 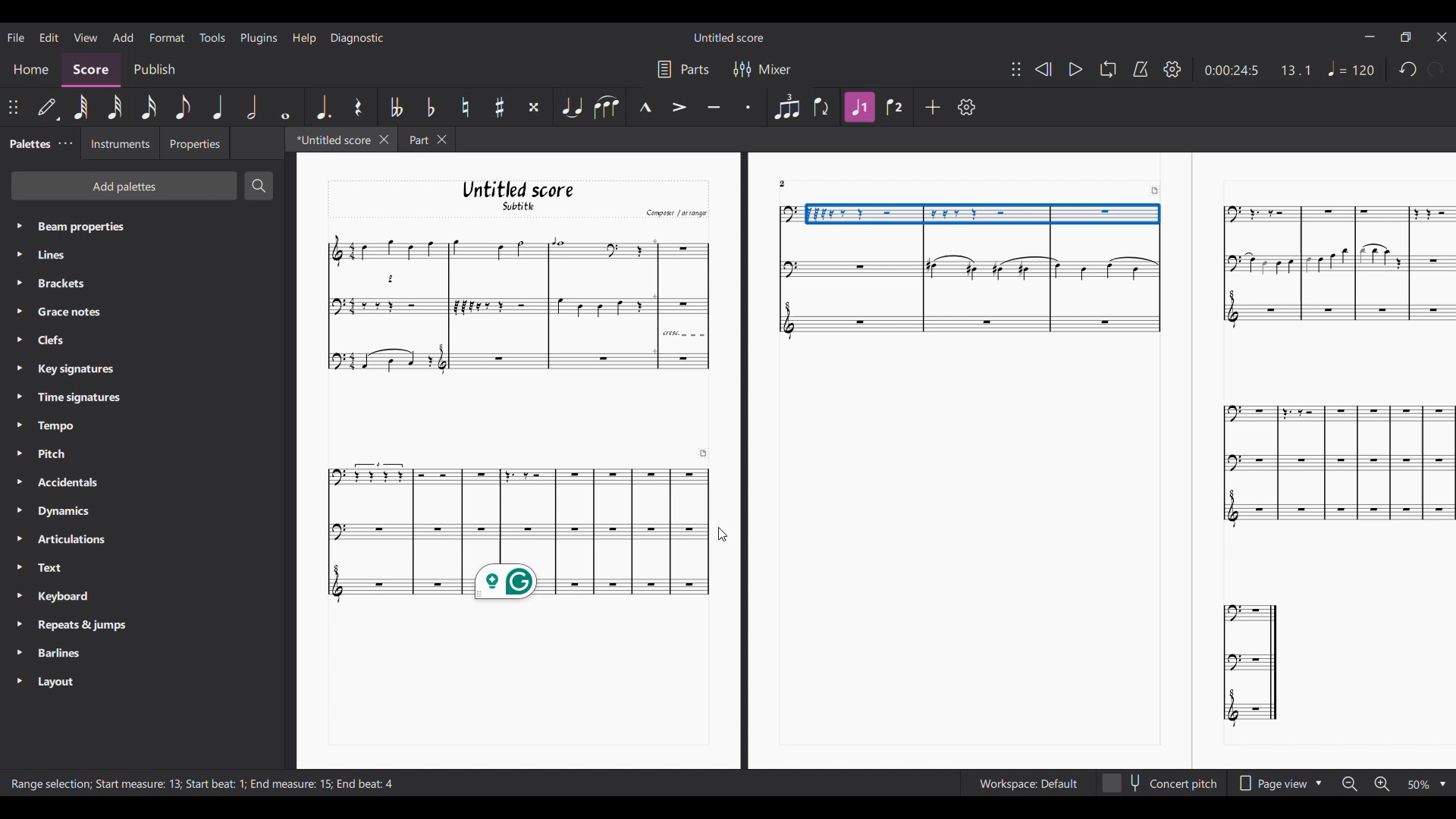 I want to click on Publish , so click(x=155, y=71).